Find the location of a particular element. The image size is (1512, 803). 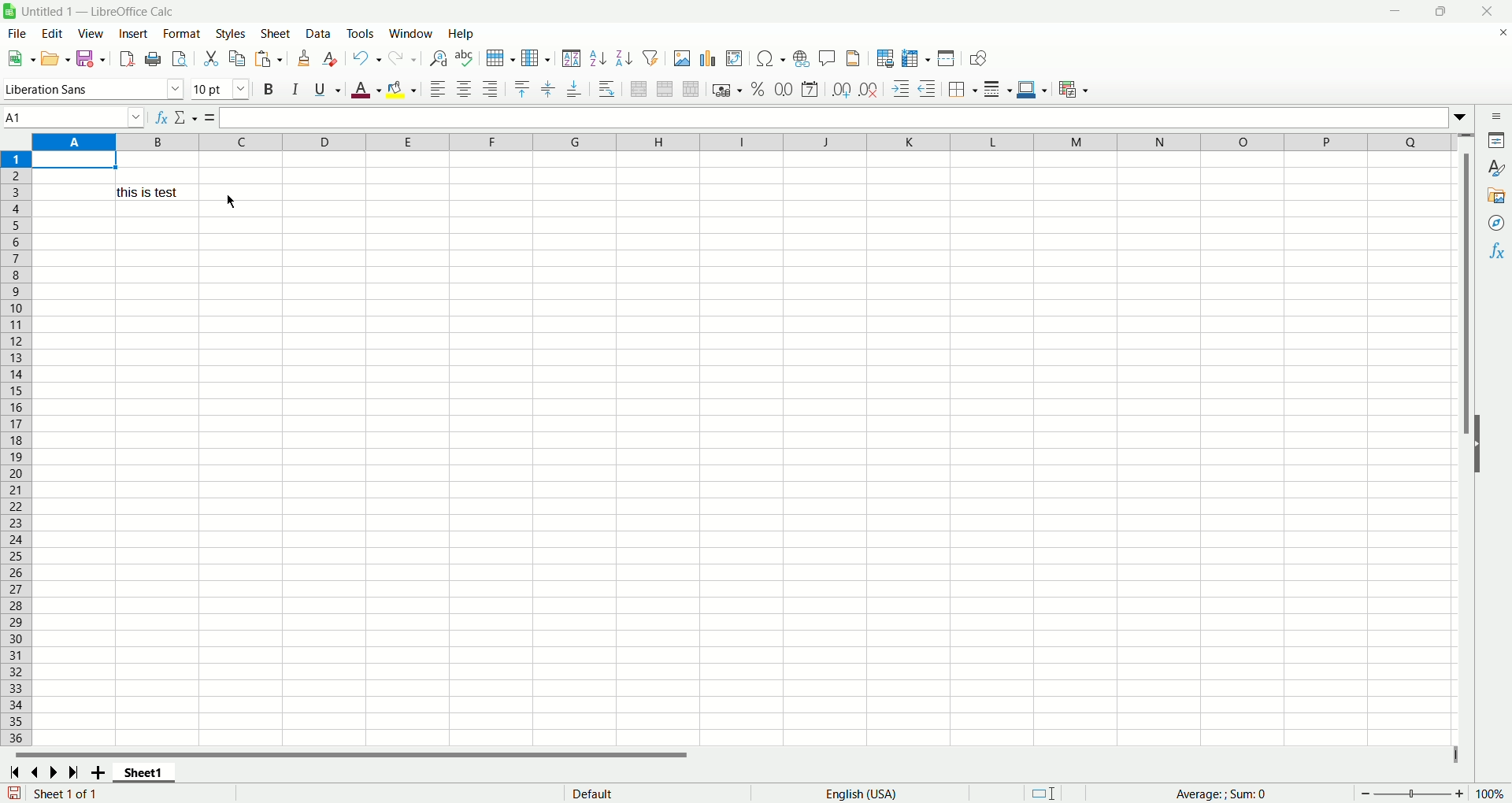

align center is located at coordinates (464, 87).